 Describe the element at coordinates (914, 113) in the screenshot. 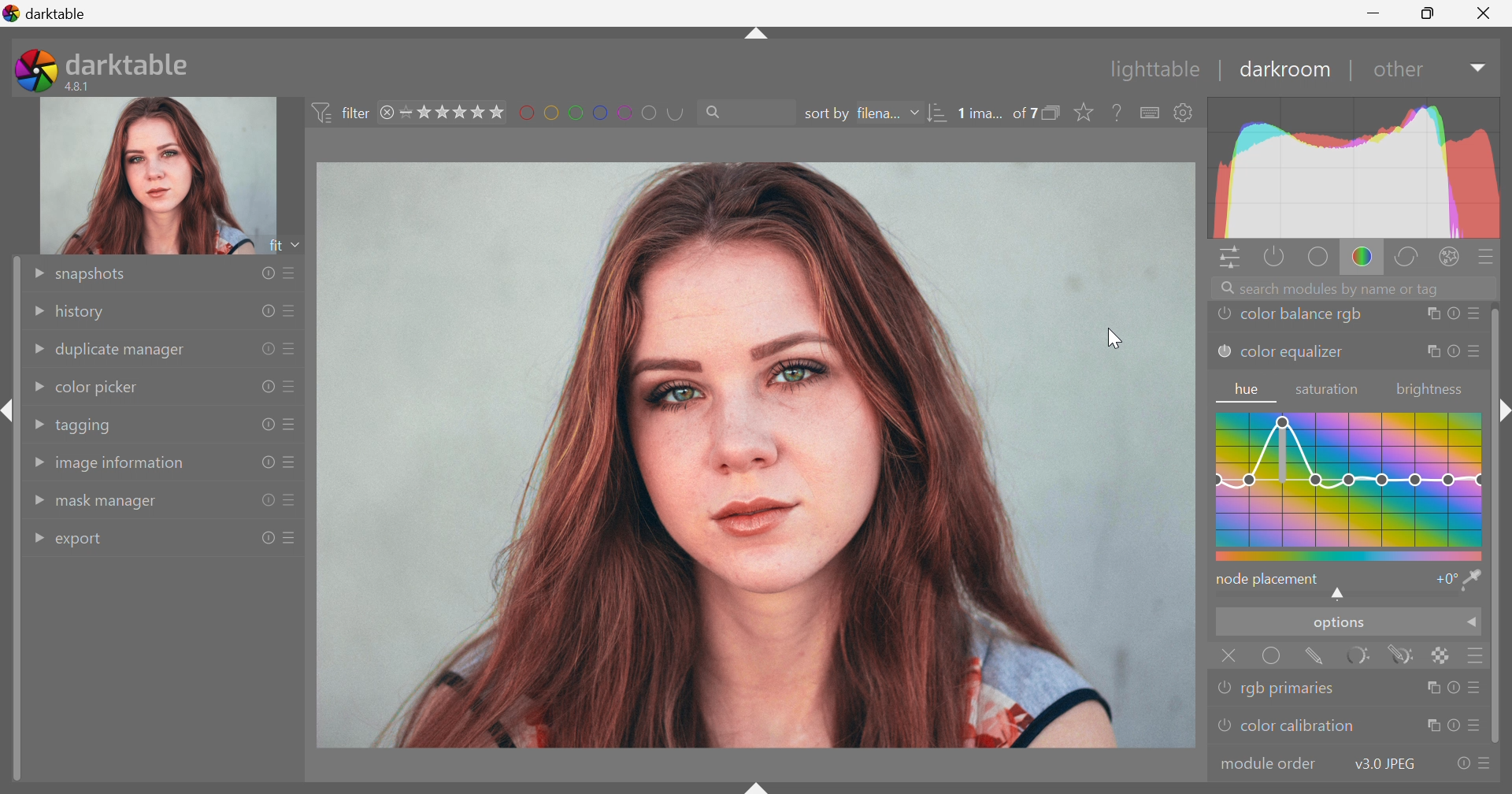

I see `Drop Down` at that location.